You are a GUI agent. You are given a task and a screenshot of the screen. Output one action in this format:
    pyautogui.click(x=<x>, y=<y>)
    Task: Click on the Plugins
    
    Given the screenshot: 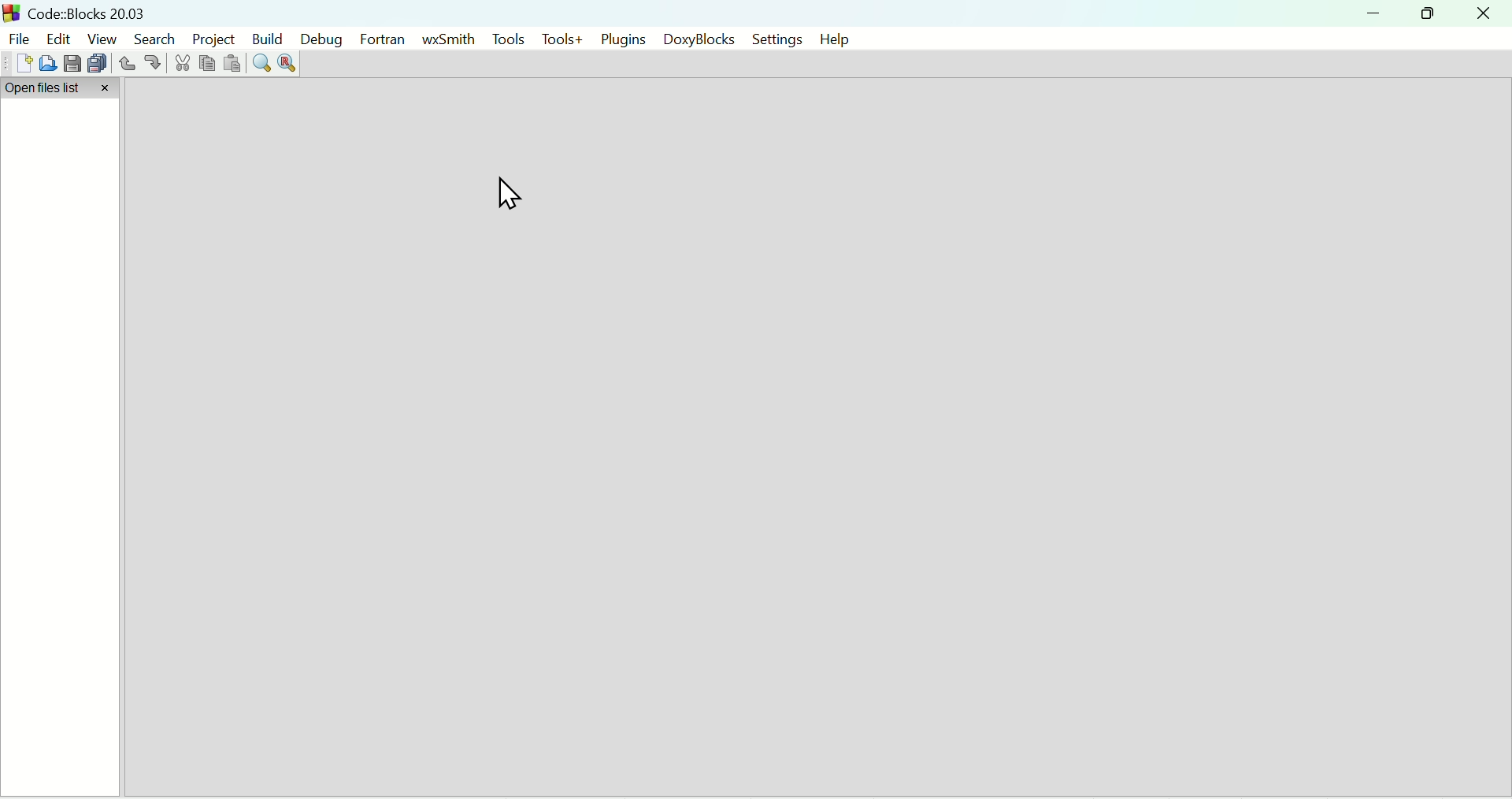 What is the action you would take?
    pyautogui.click(x=623, y=37)
    